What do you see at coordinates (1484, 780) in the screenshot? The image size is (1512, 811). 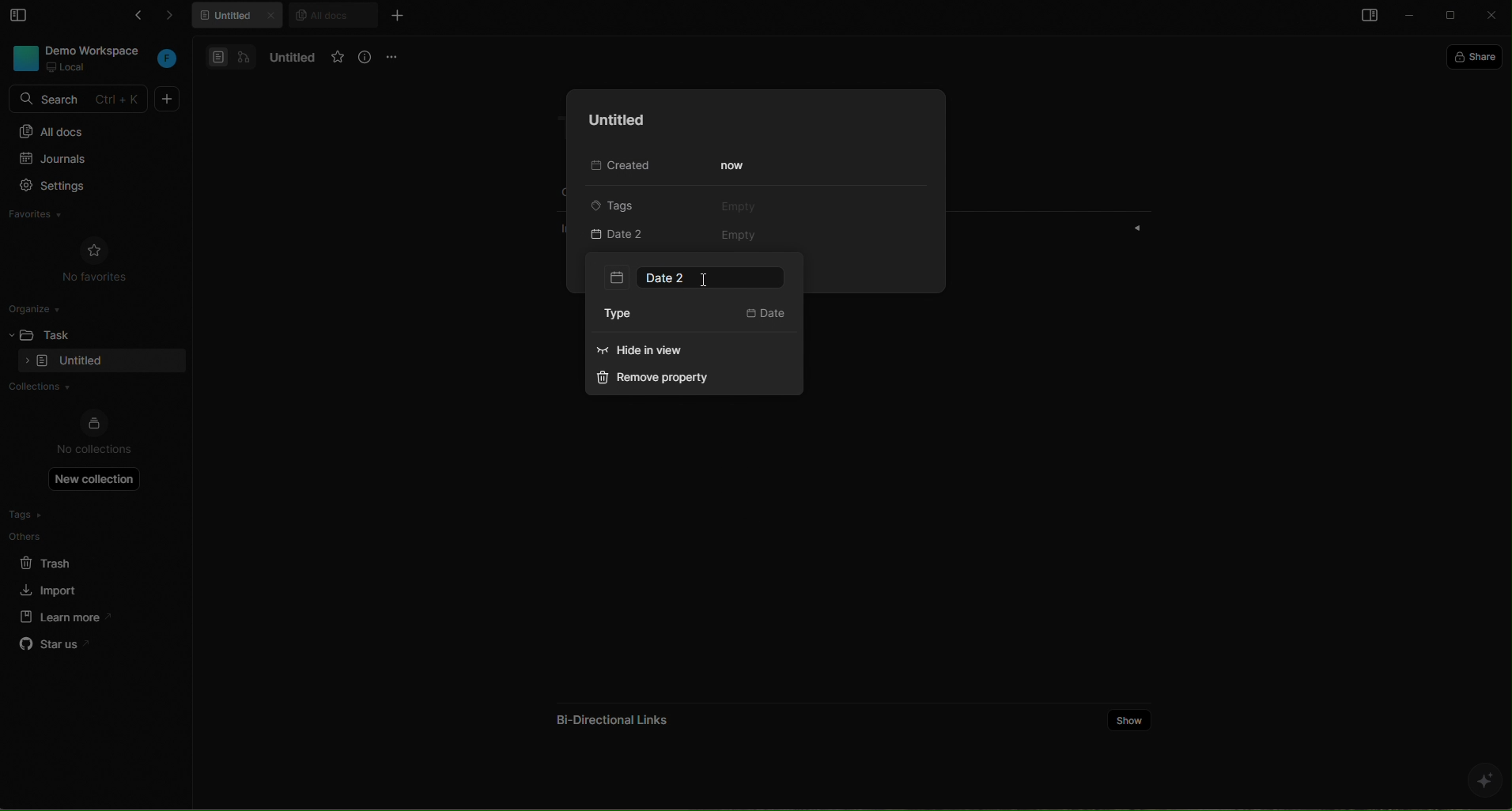 I see `ai` at bounding box center [1484, 780].